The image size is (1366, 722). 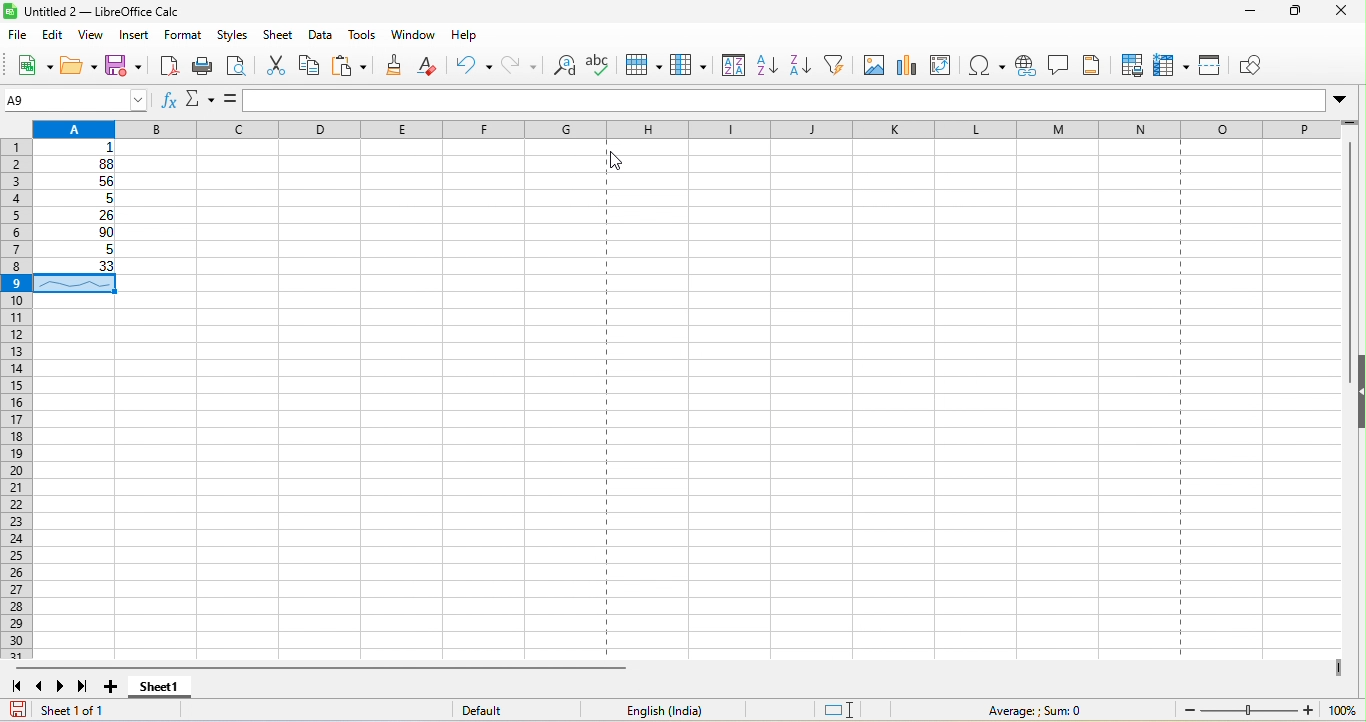 I want to click on hide, so click(x=1357, y=393).